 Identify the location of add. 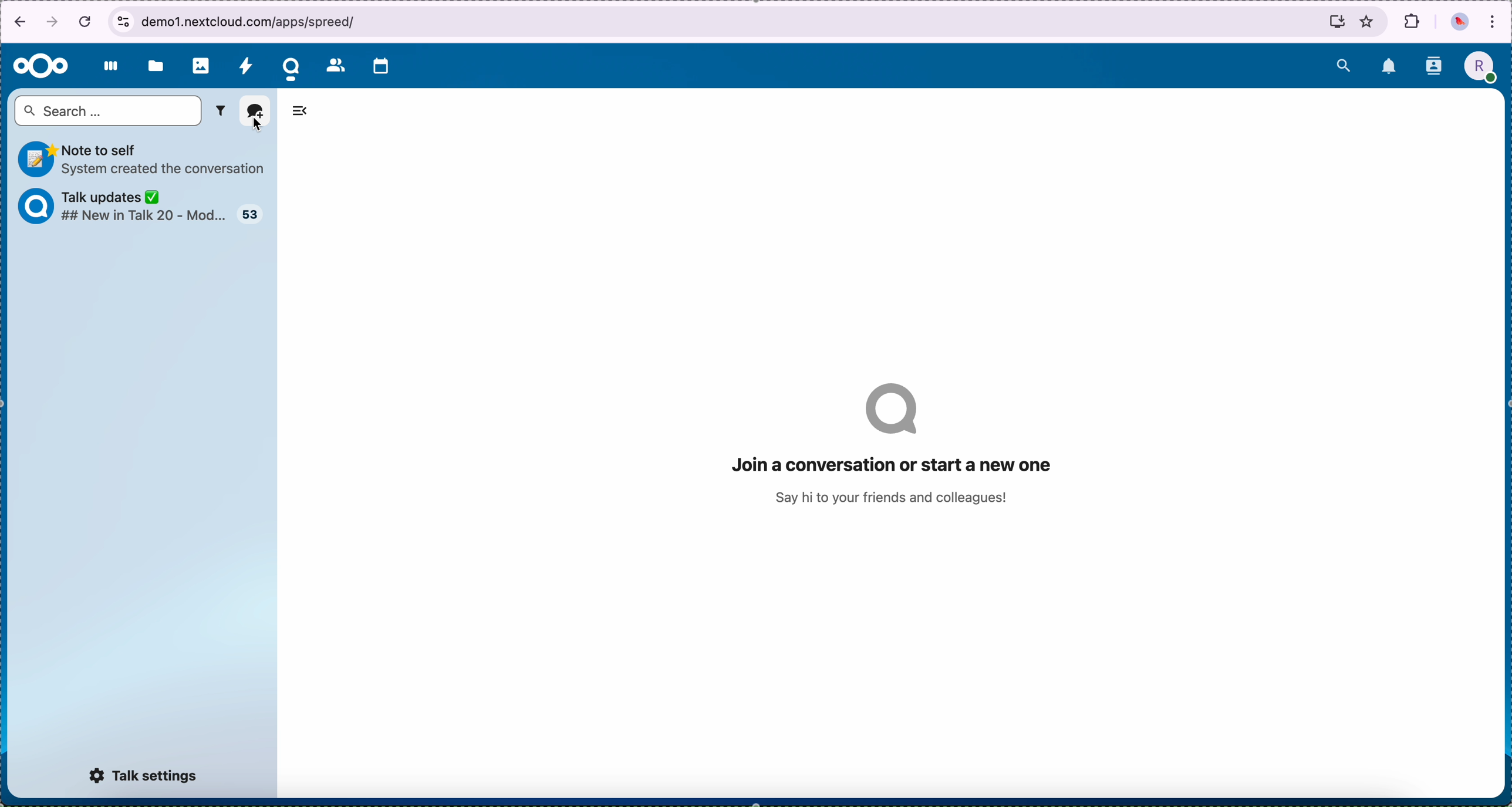
(254, 111).